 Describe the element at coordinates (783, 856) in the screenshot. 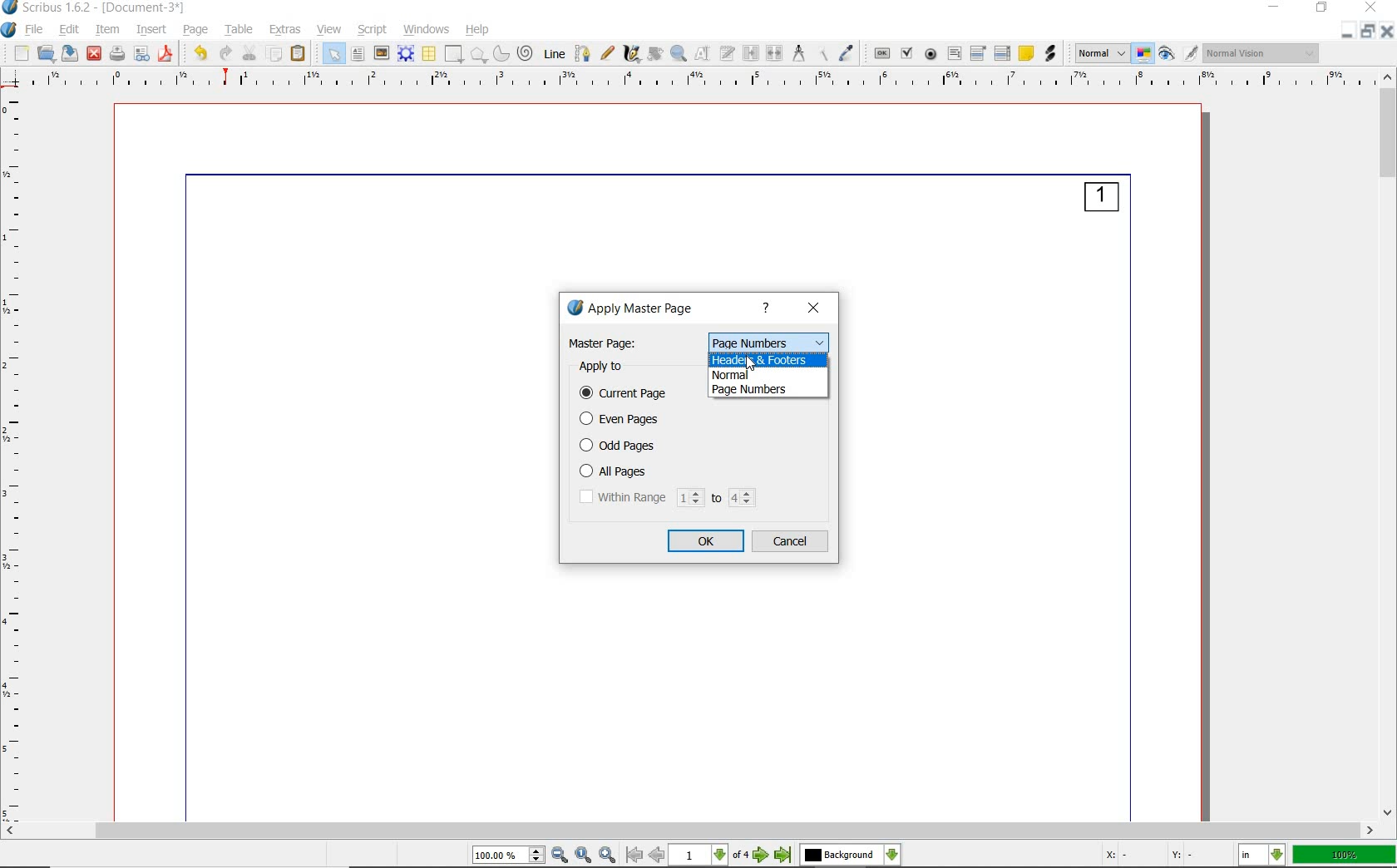

I see `go to last page` at that location.